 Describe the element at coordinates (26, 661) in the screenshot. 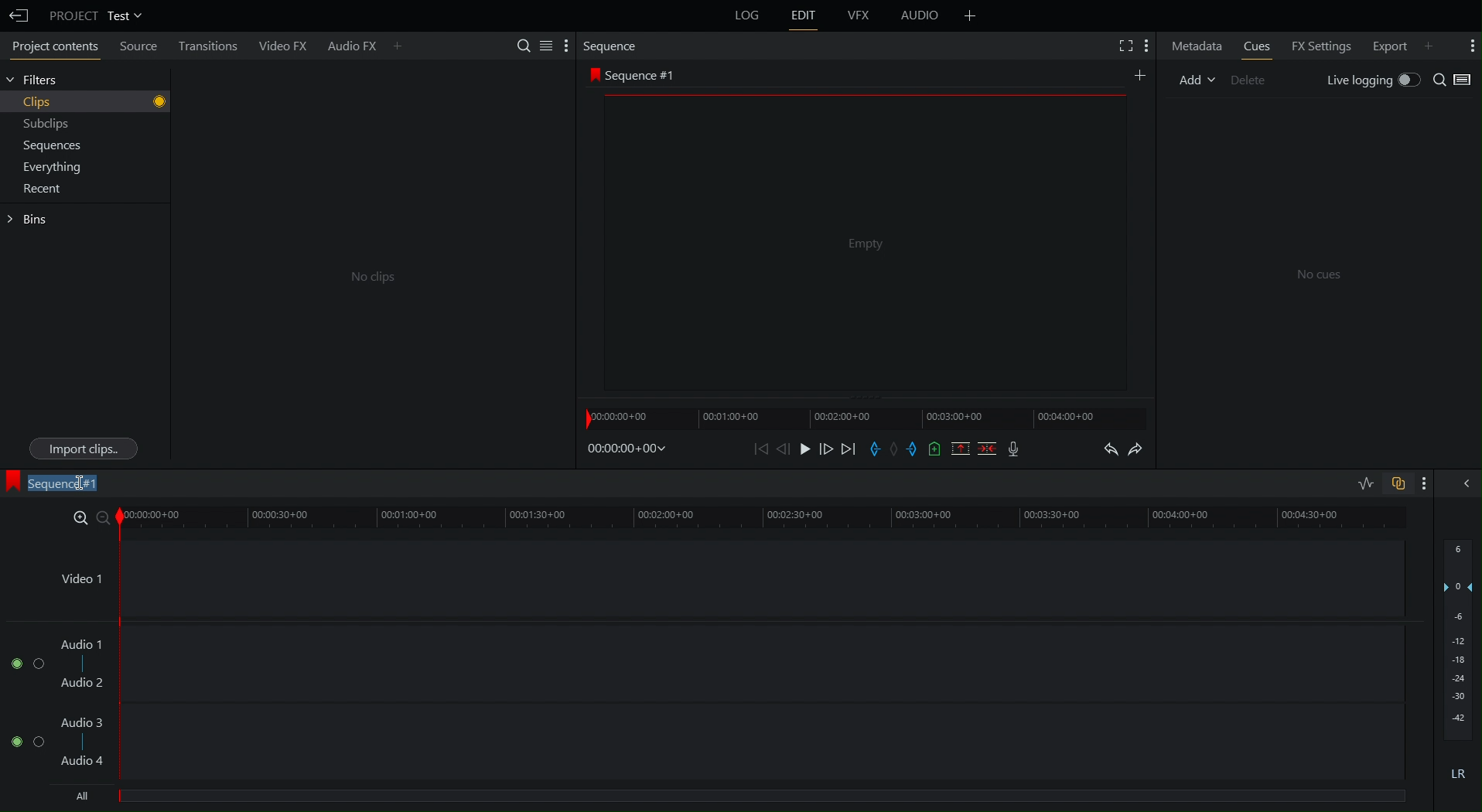

I see `Audio Channel 1` at that location.